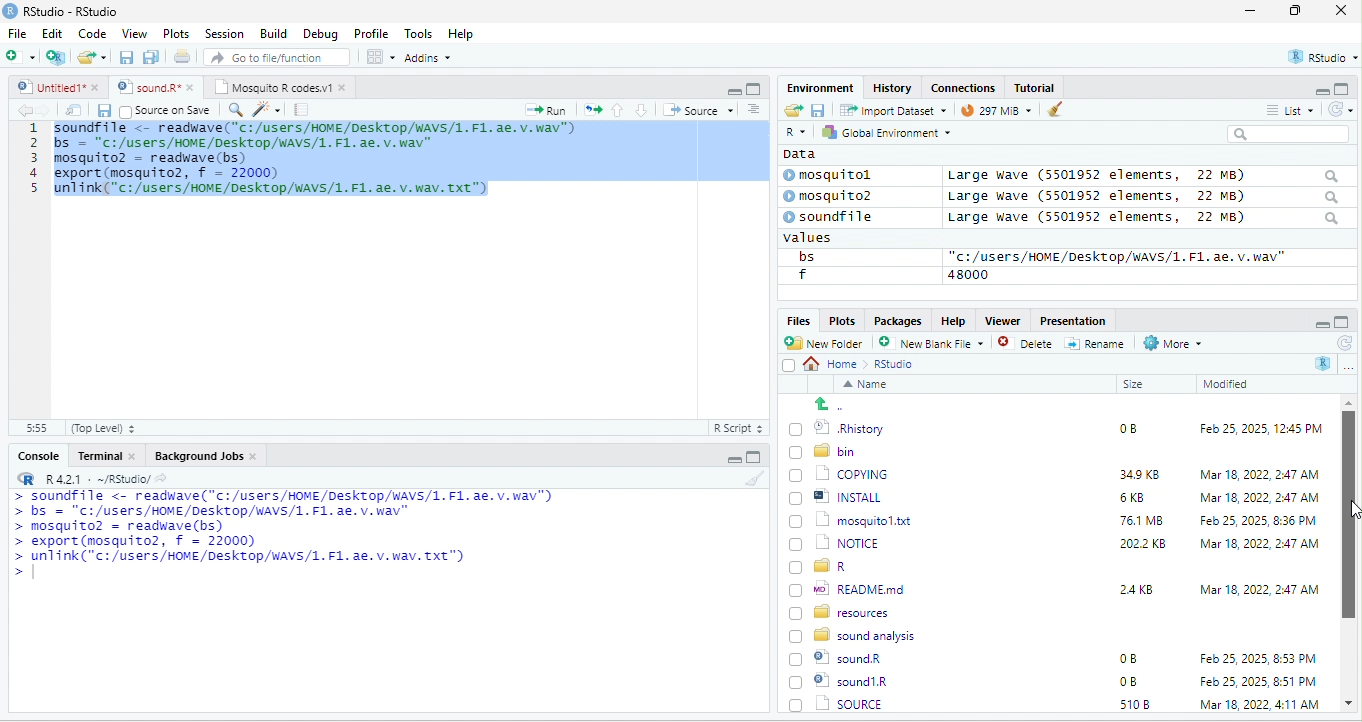  Describe the element at coordinates (267, 109) in the screenshot. I see `sharpen` at that location.